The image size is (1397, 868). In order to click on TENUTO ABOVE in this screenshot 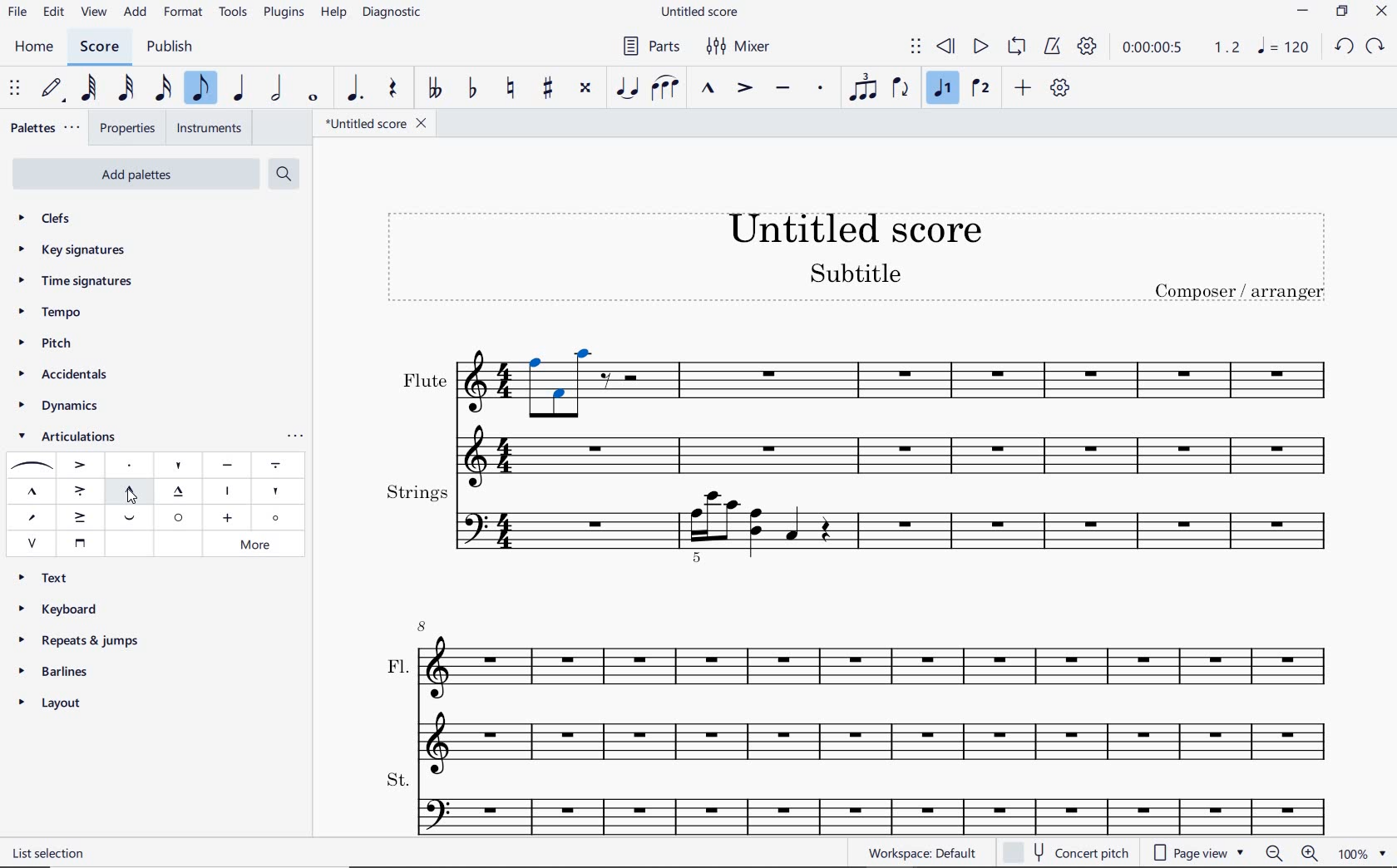, I will do `click(227, 466)`.